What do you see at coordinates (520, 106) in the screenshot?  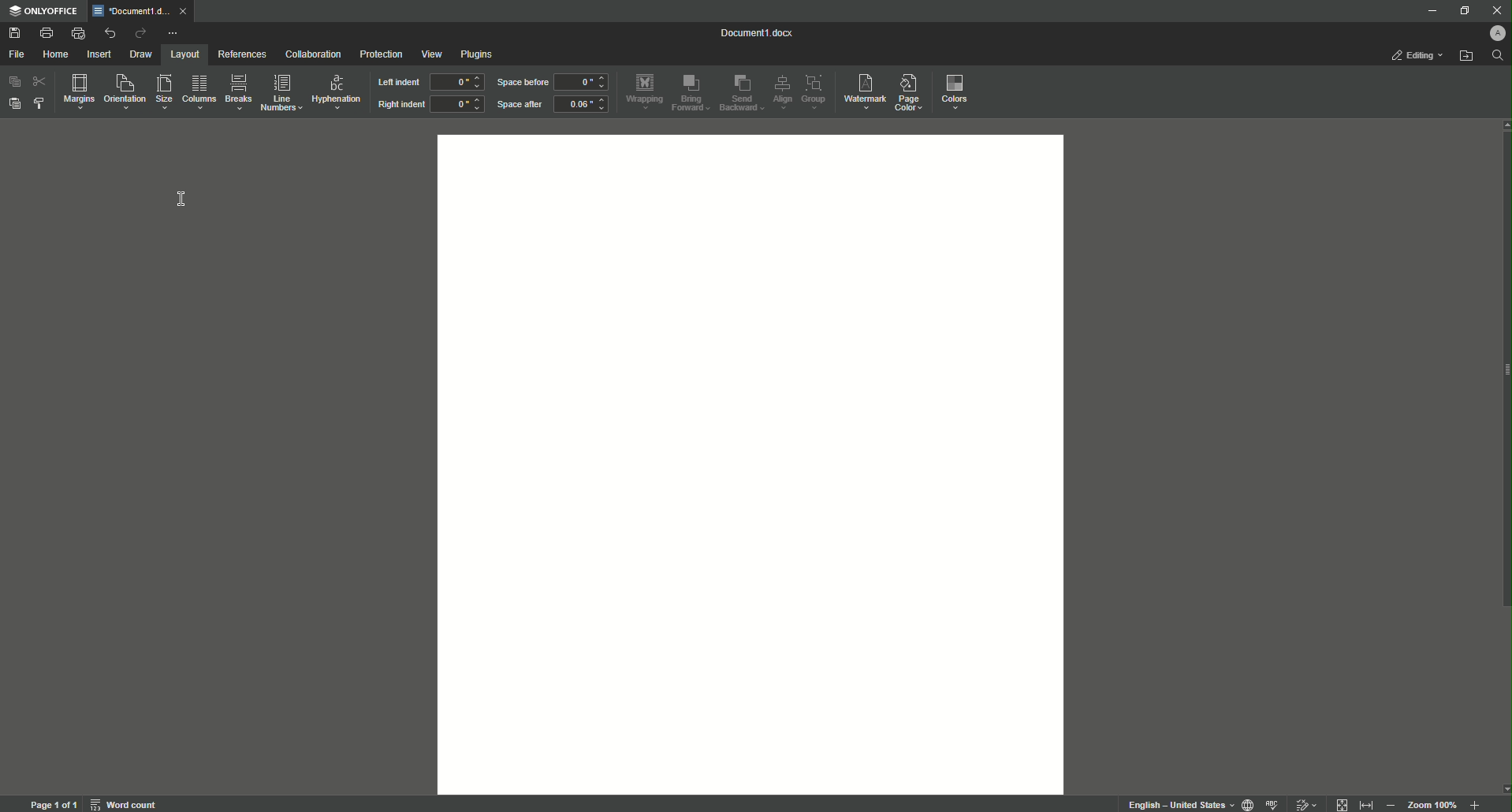 I see `Space after` at bounding box center [520, 106].